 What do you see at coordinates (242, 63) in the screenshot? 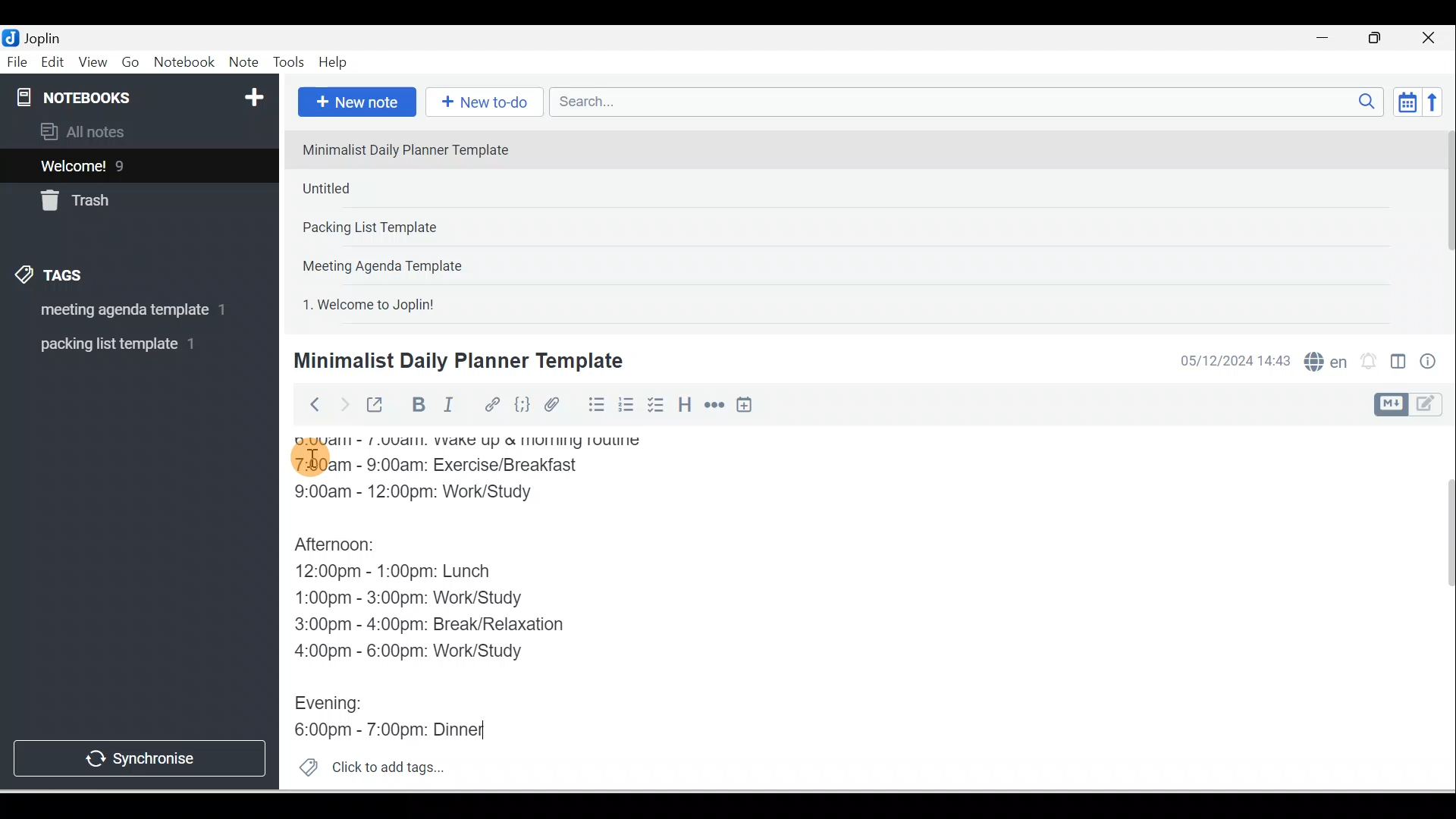
I see `Note` at bounding box center [242, 63].